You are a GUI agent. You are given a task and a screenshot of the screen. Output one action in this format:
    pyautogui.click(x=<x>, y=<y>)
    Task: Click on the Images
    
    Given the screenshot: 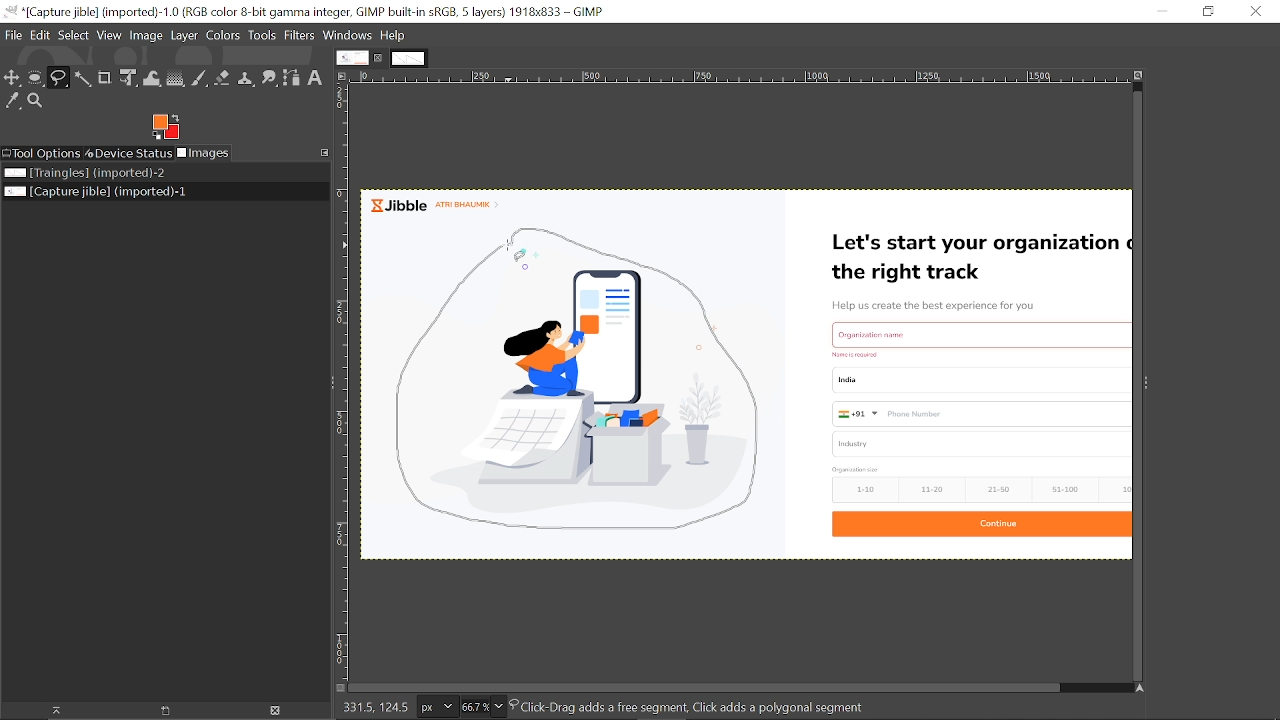 What is the action you would take?
    pyautogui.click(x=203, y=153)
    